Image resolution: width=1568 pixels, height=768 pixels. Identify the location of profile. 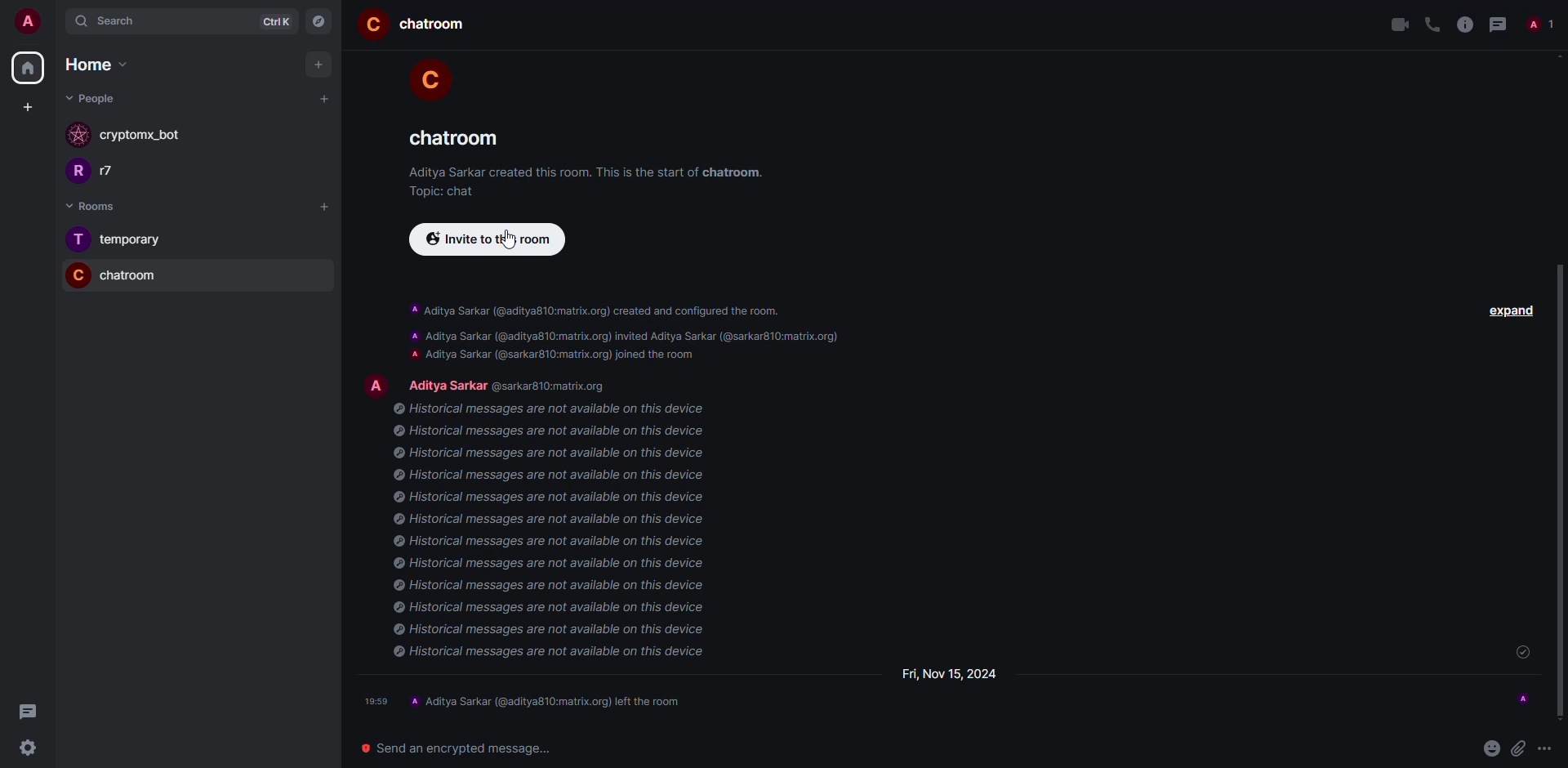
(77, 239).